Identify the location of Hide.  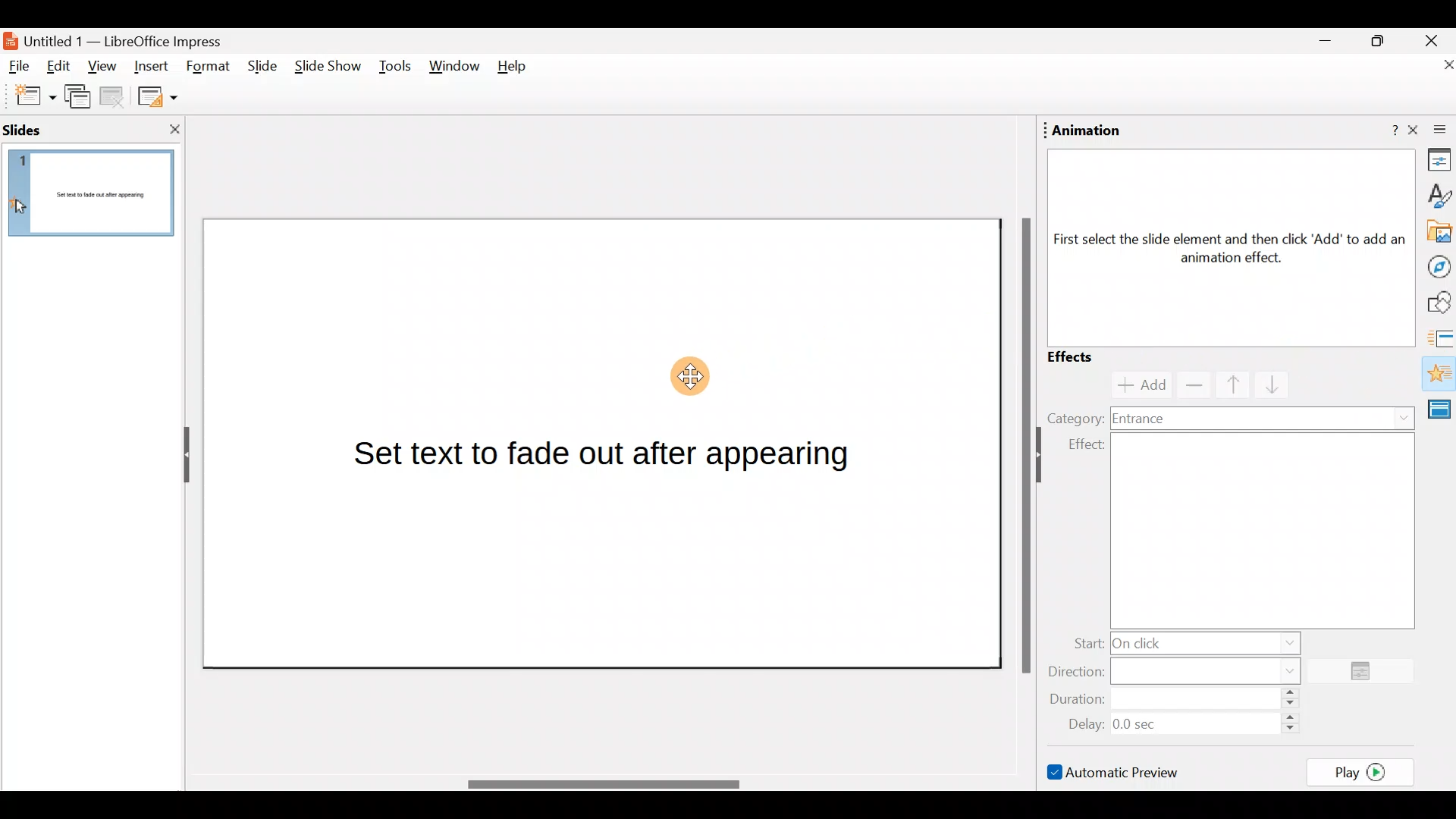
(180, 456).